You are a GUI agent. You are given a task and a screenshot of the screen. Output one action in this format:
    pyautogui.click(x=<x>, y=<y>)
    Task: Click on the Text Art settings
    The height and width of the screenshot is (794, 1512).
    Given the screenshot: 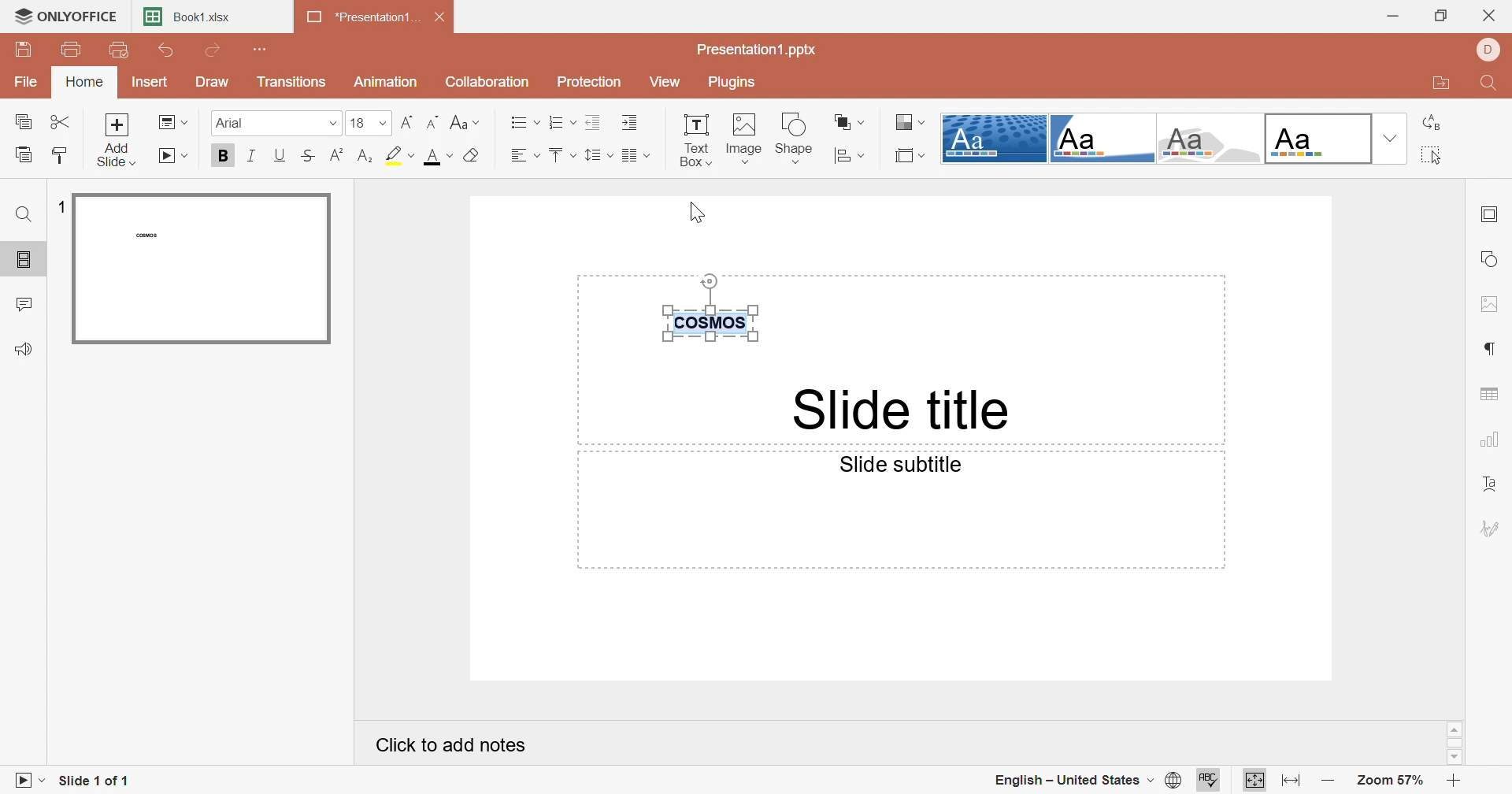 What is the action you would take?
    pyautogui.click(x=1492, y=484)
    